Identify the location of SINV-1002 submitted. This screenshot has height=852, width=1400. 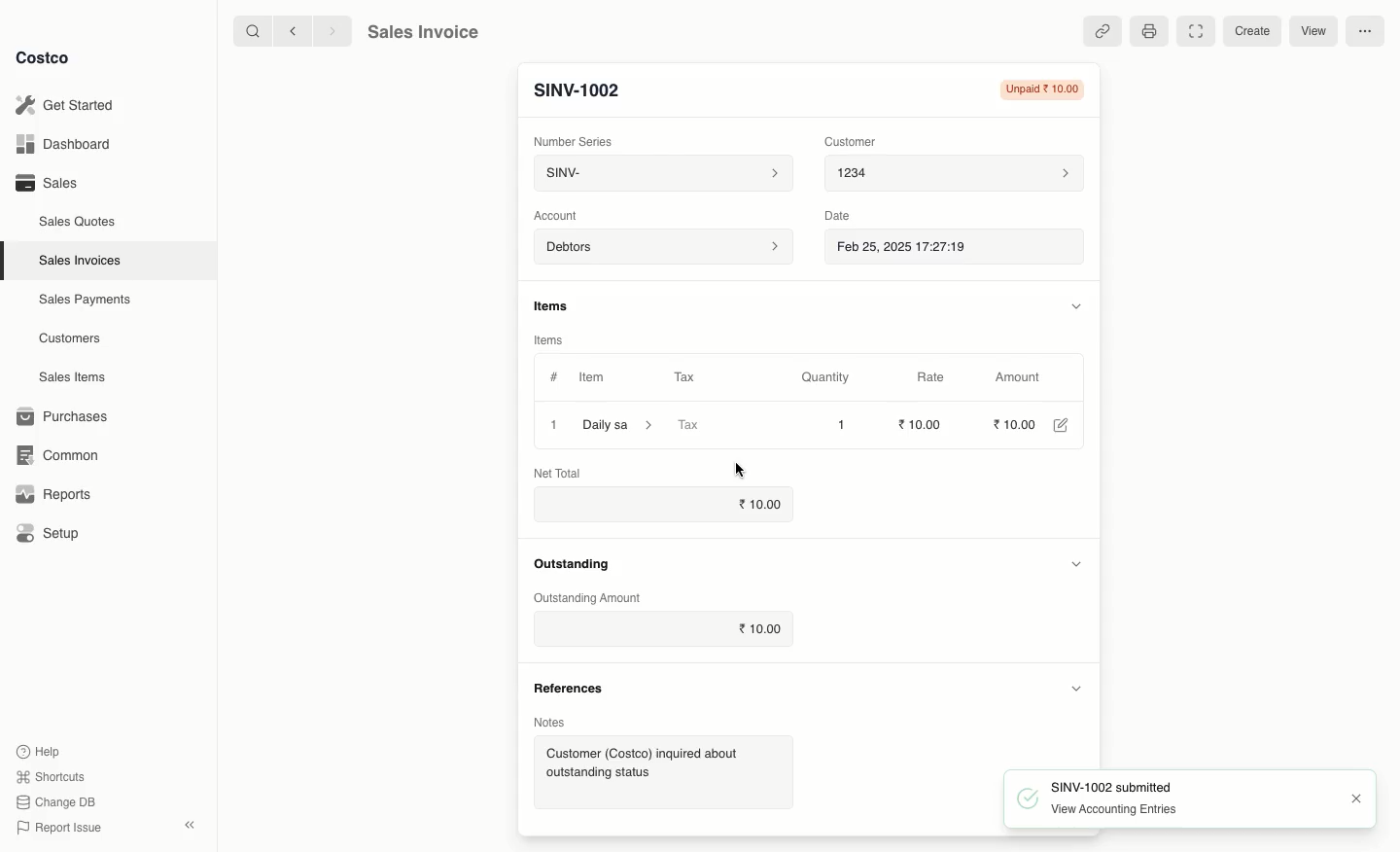
(1093, 786).